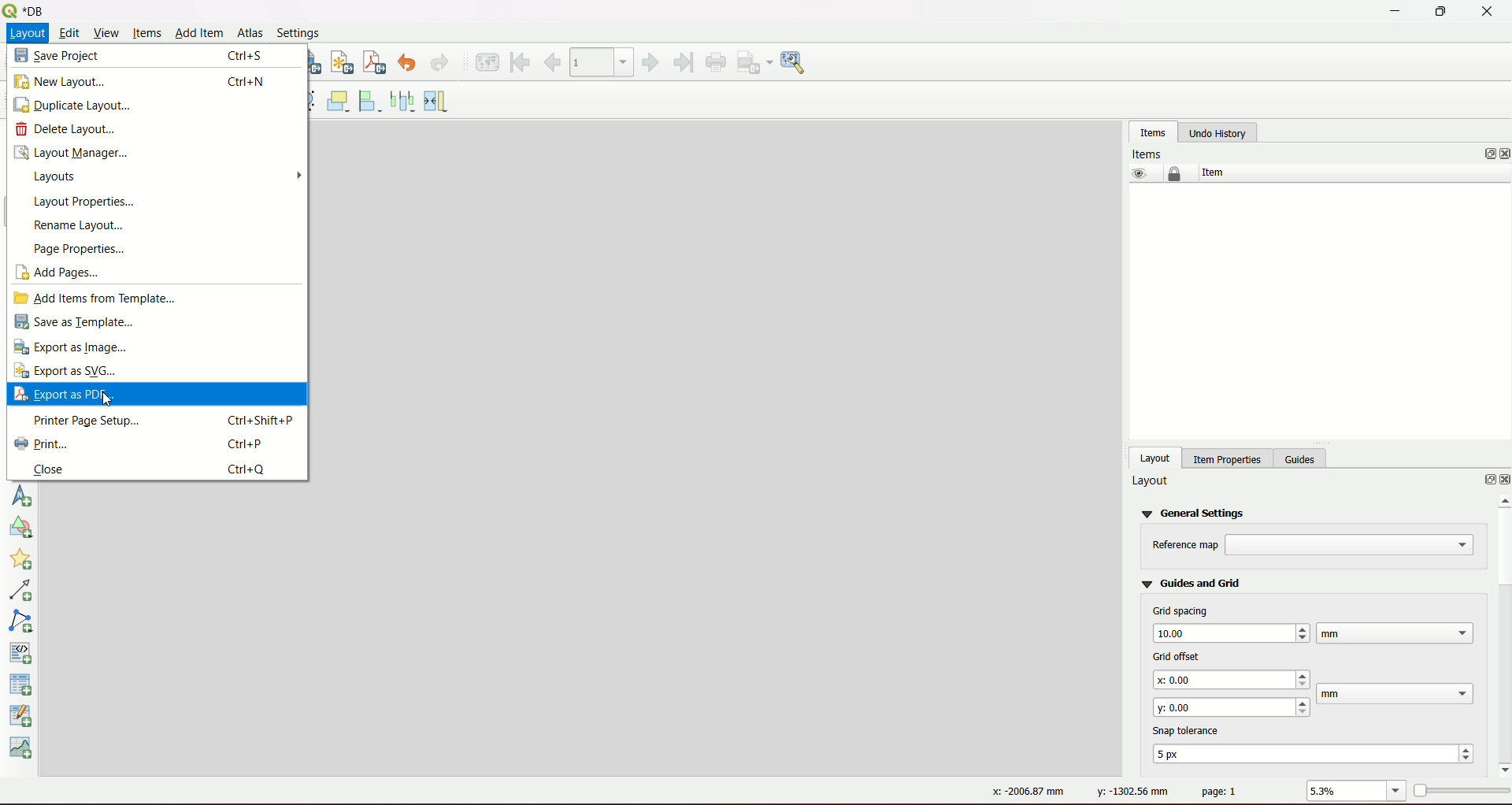  I want to click on close, so click(55, 471).